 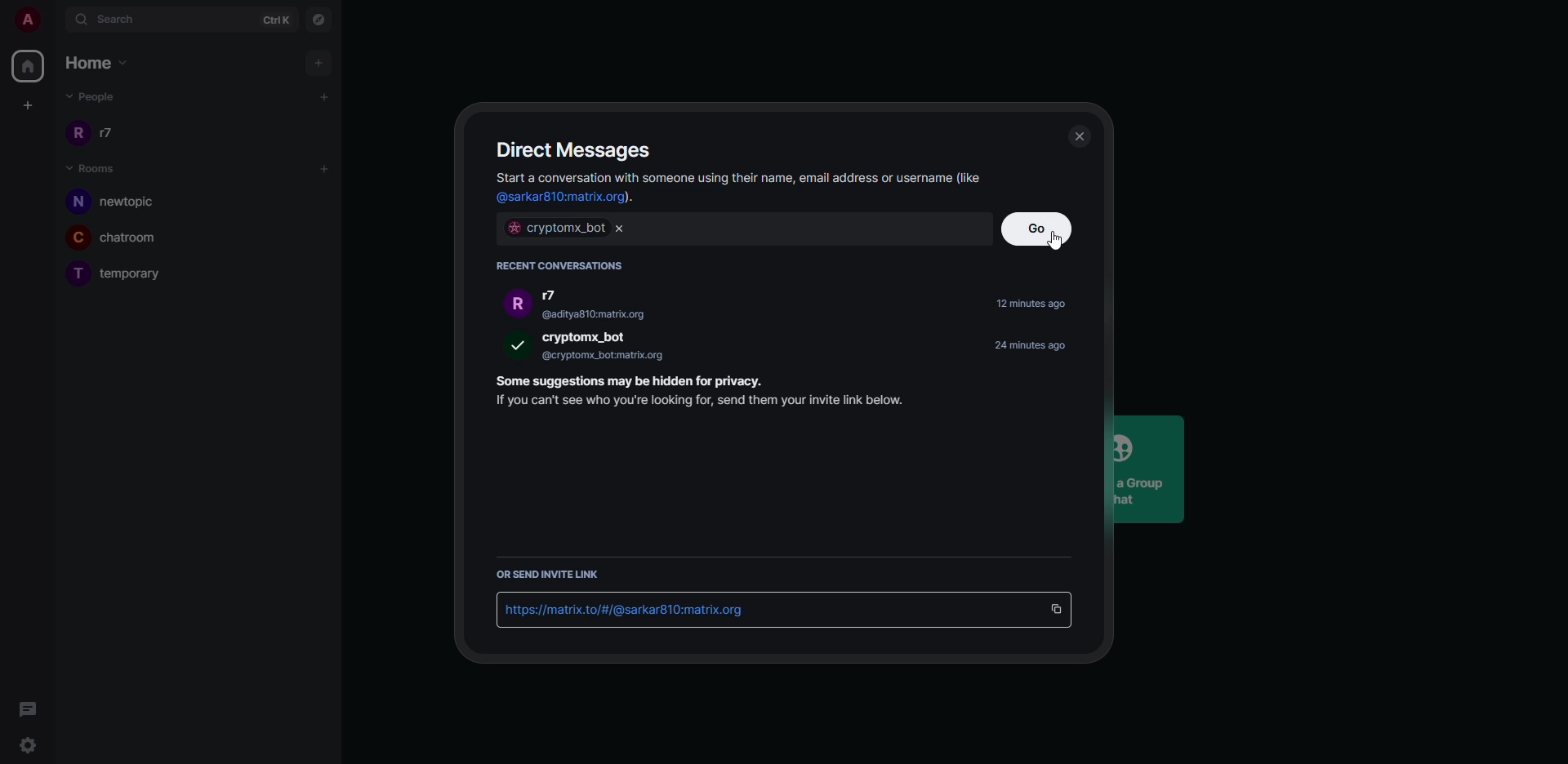 I want to click on r7, so click(x=114, y=132).